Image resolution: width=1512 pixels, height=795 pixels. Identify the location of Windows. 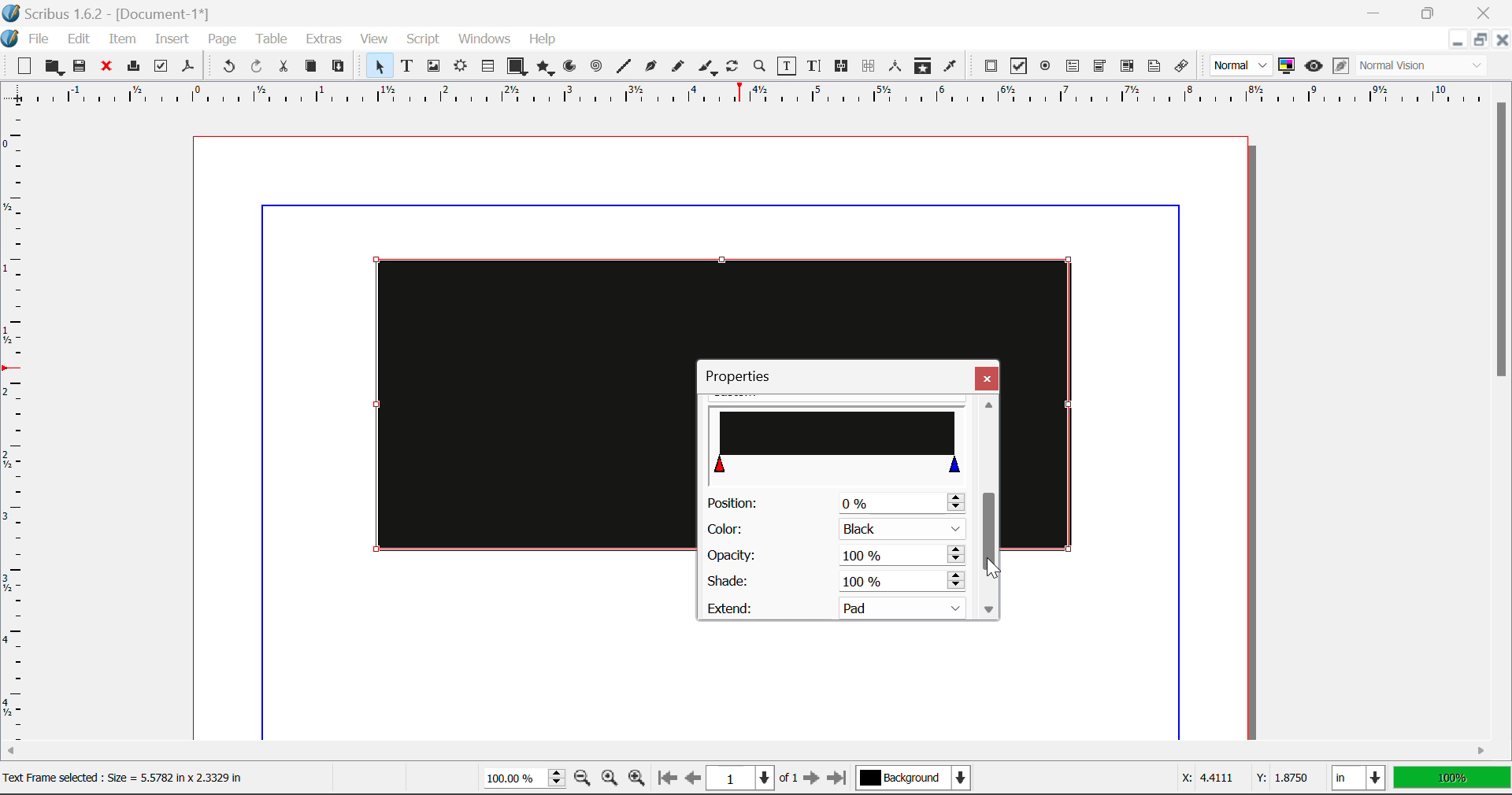
(483, 39).